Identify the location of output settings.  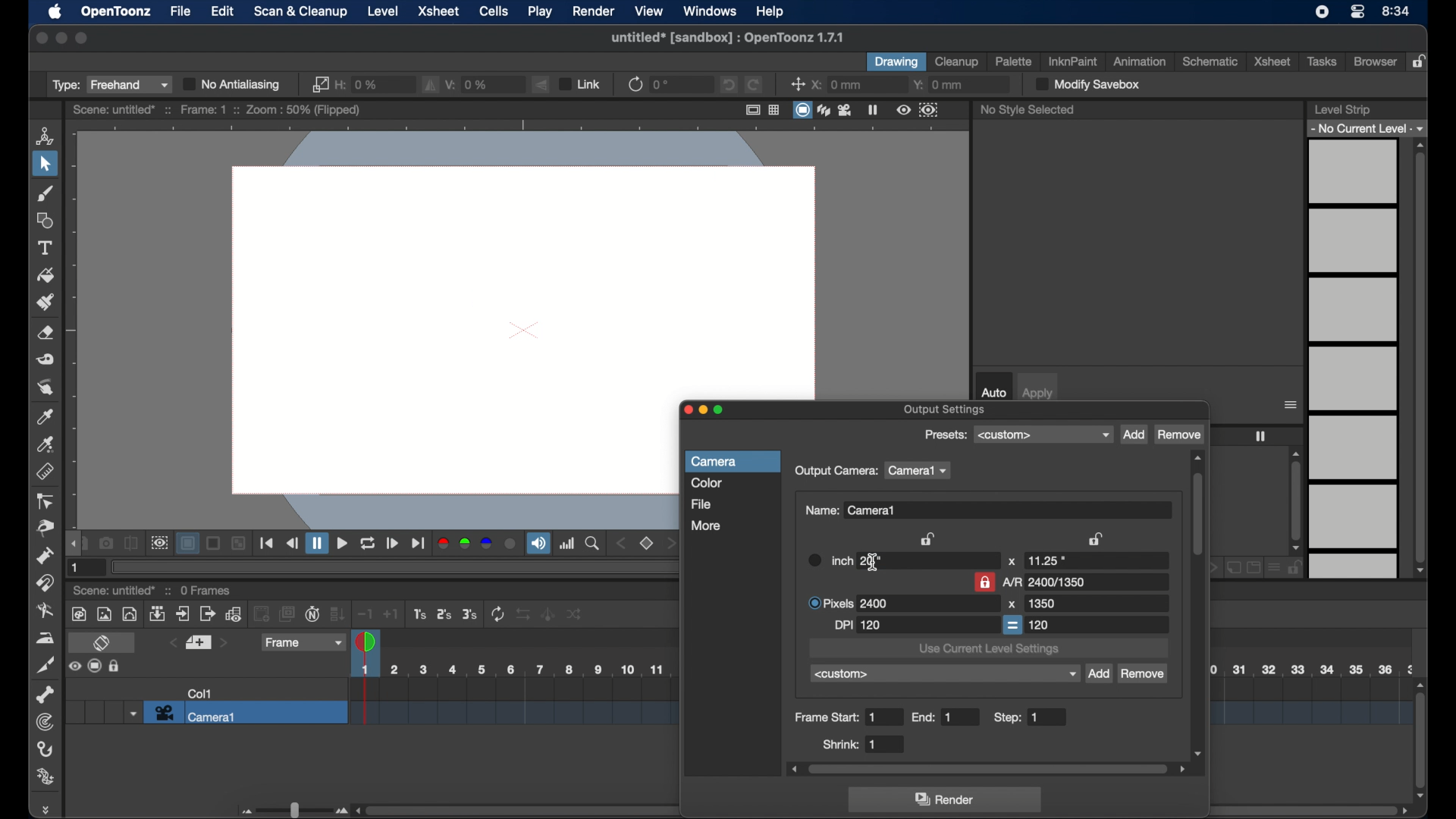
(946, 410).